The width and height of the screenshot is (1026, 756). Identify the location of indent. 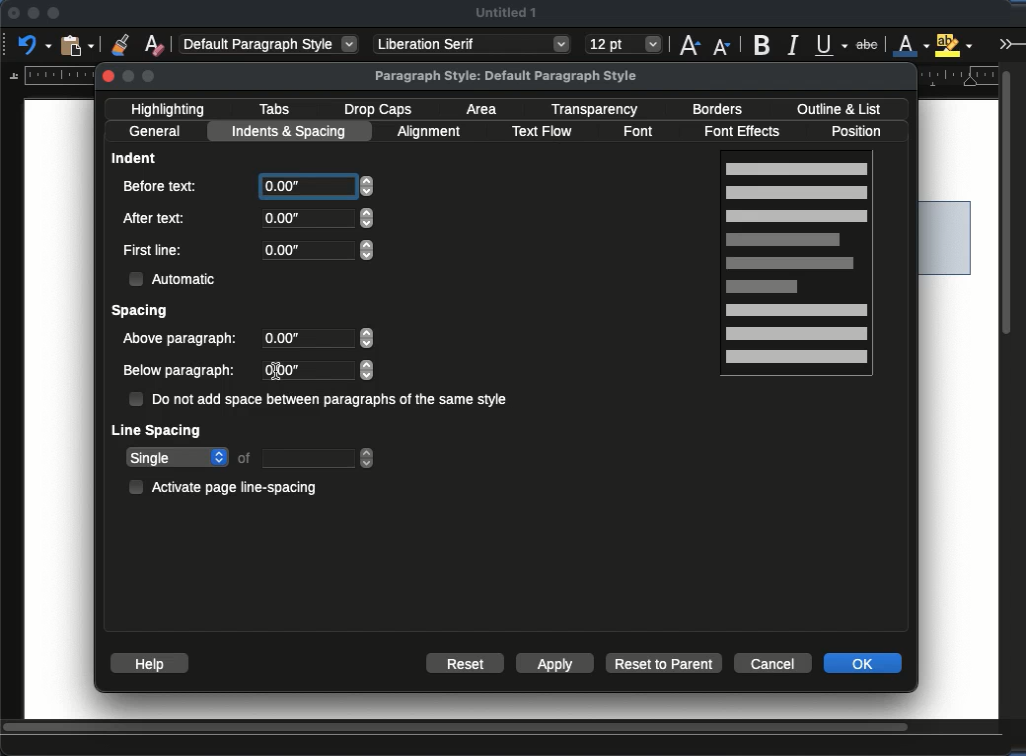
(135, 157).